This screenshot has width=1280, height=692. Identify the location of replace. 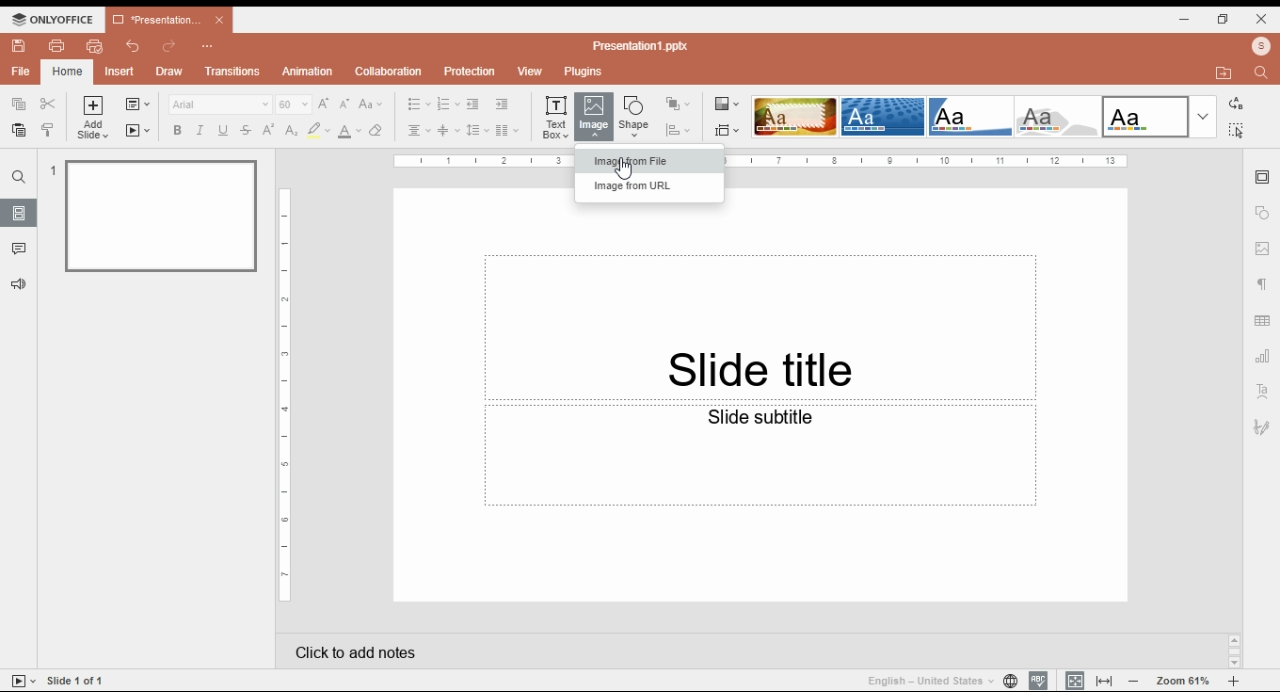
(1235, 104).